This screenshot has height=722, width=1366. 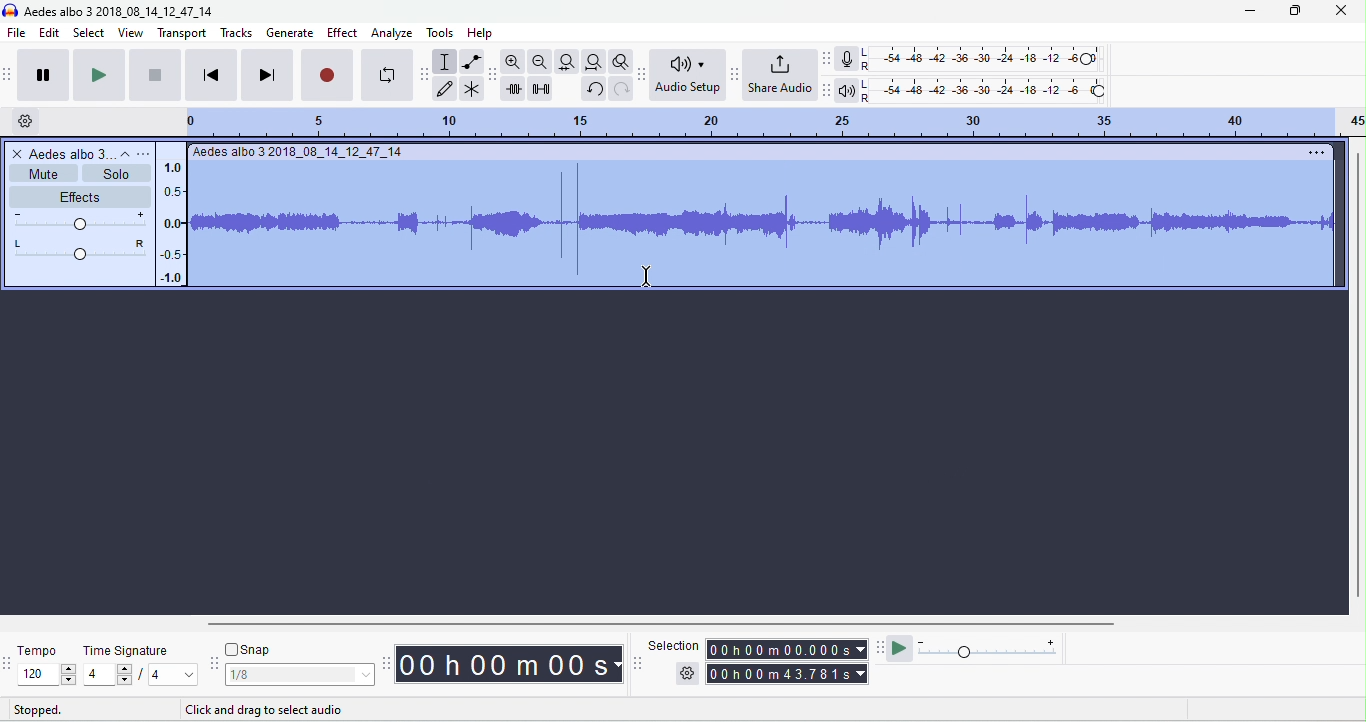 What do you see at coordinates (640, 665) in the screenshot?
I see `selection toolbar` at bounding box center [640, 665].